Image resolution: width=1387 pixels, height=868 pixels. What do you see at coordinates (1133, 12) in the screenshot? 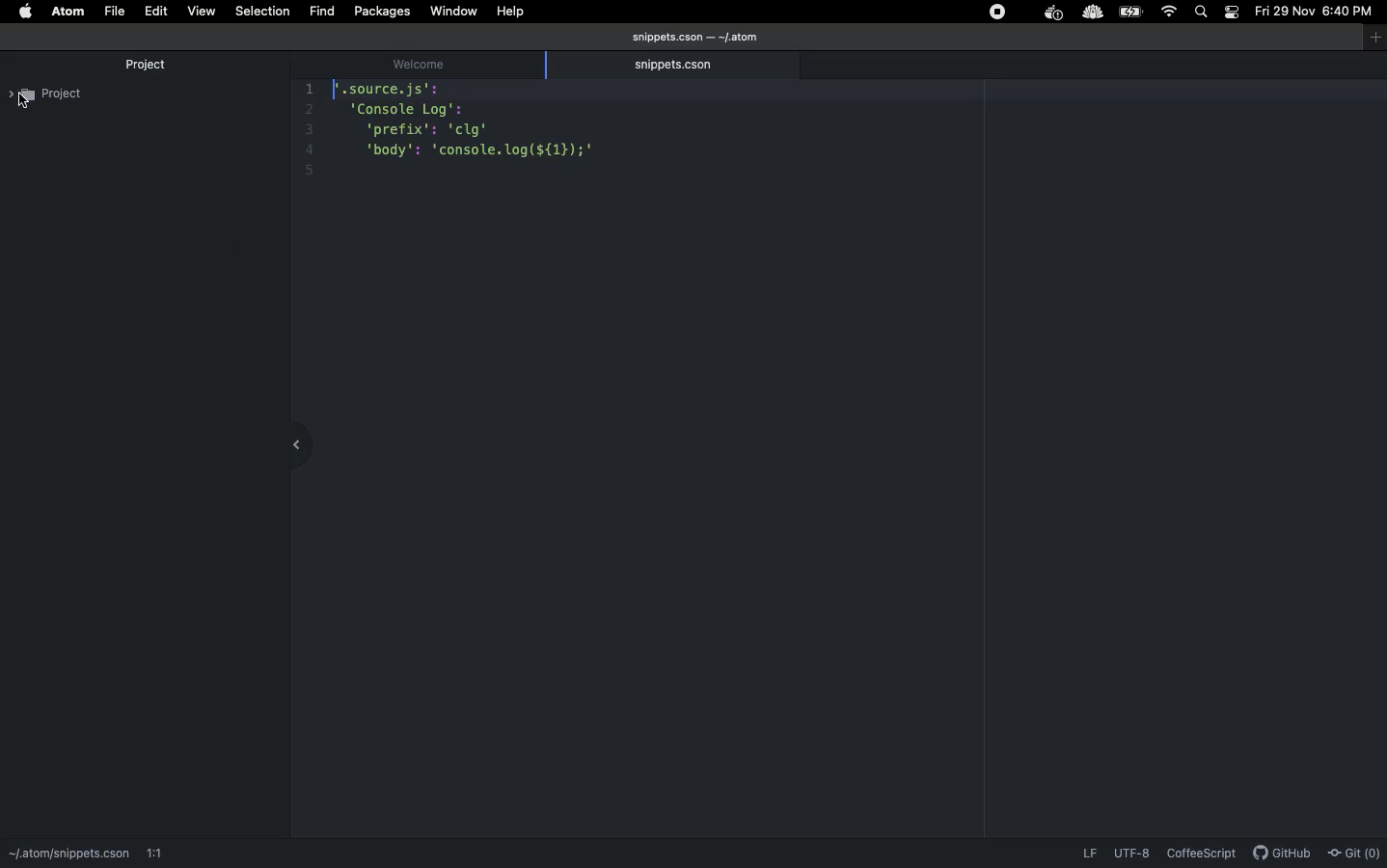
I see `Charge` at bounding box center [1133, 12].